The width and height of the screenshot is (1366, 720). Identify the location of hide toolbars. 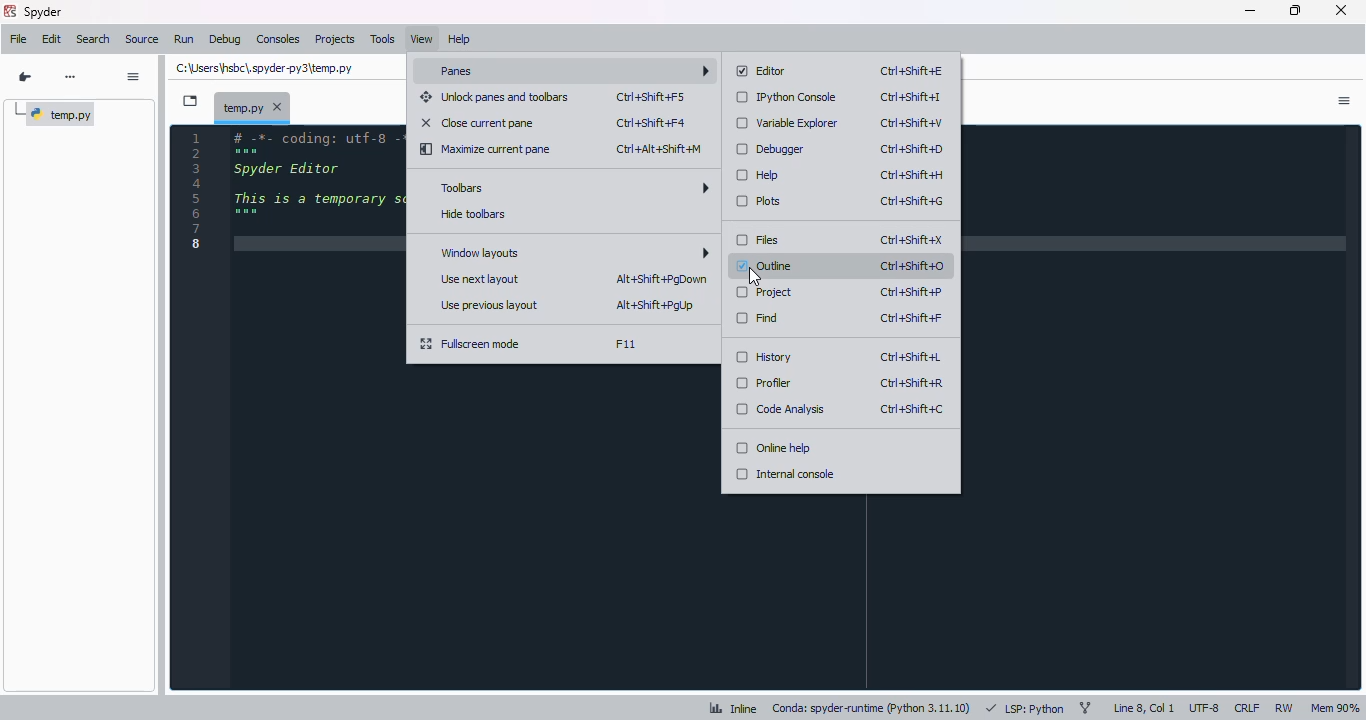
(474, 214).